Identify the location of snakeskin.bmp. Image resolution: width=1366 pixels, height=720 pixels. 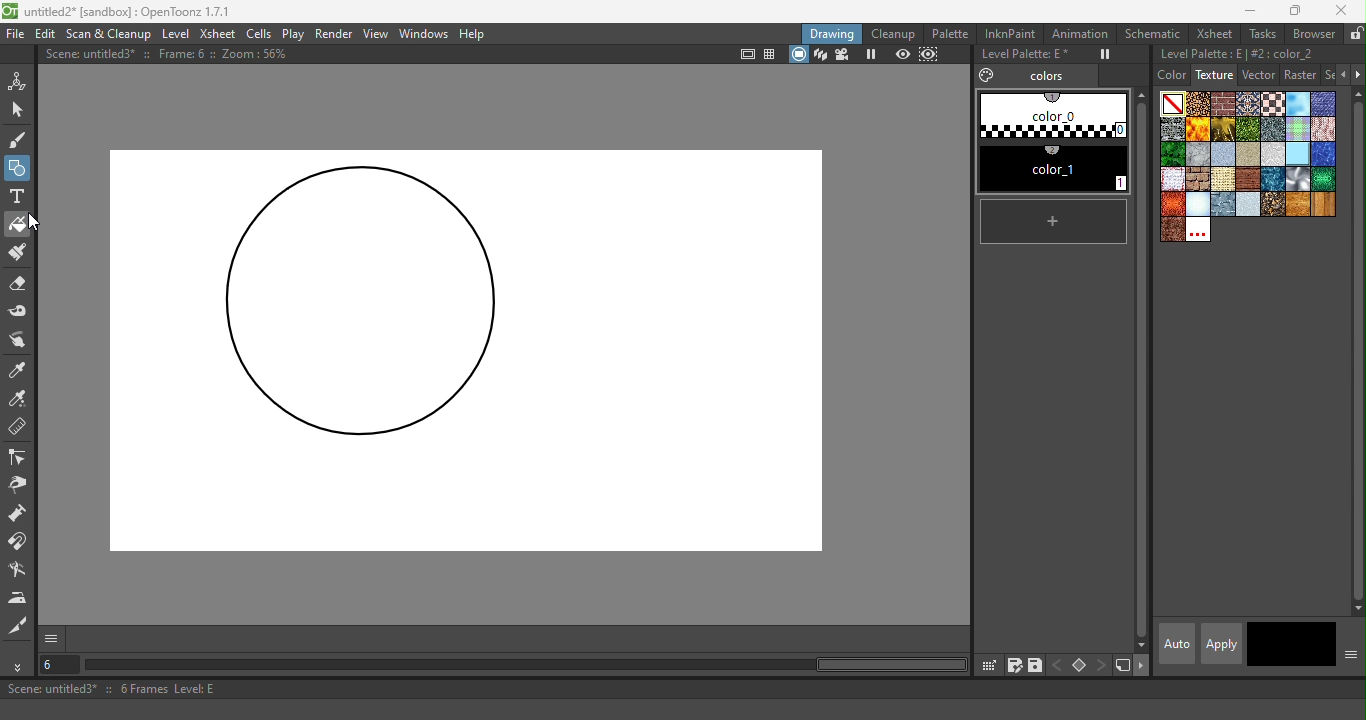
(1323, 179).